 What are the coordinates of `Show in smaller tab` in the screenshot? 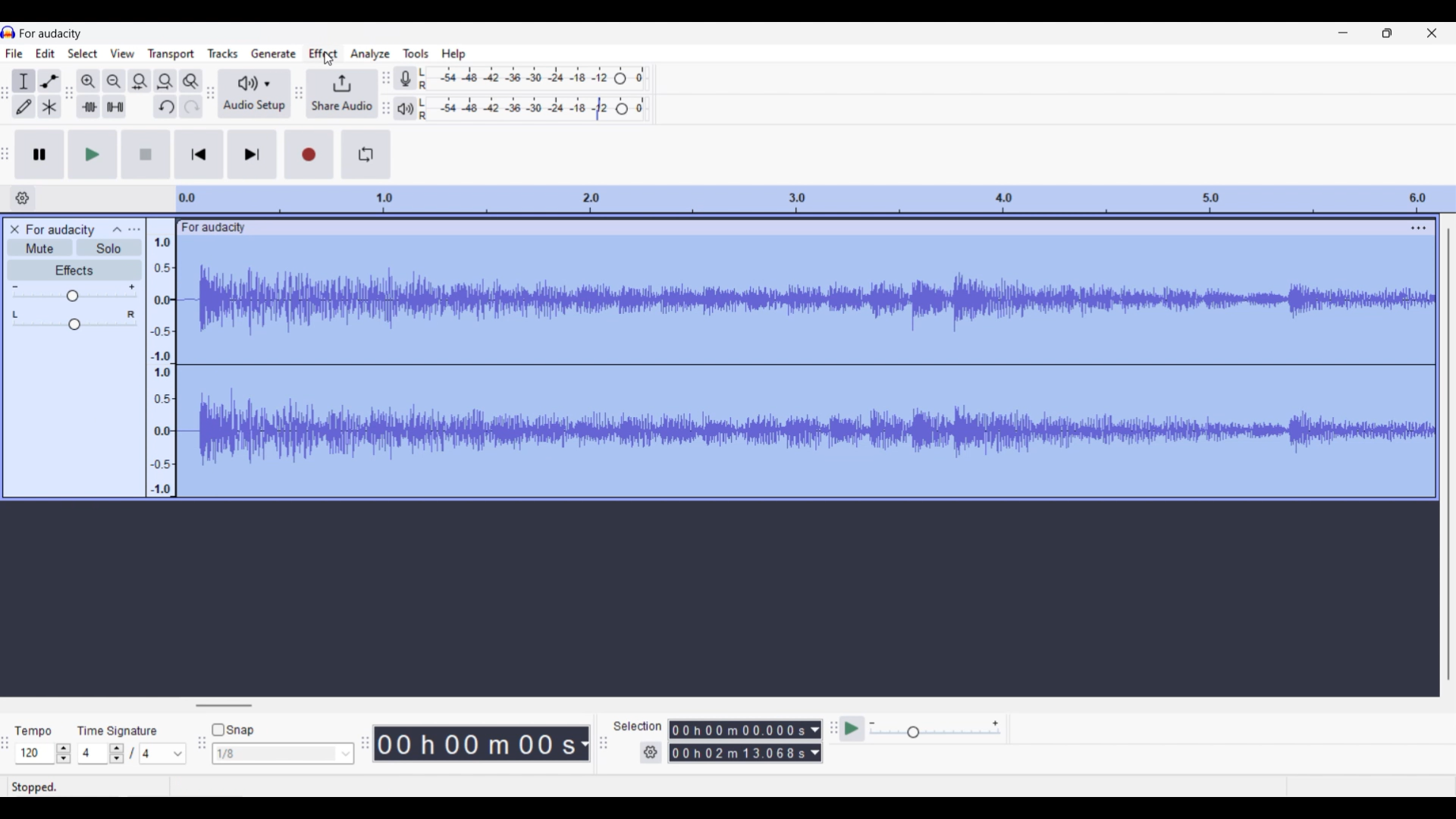 It's located at (1388, 33).